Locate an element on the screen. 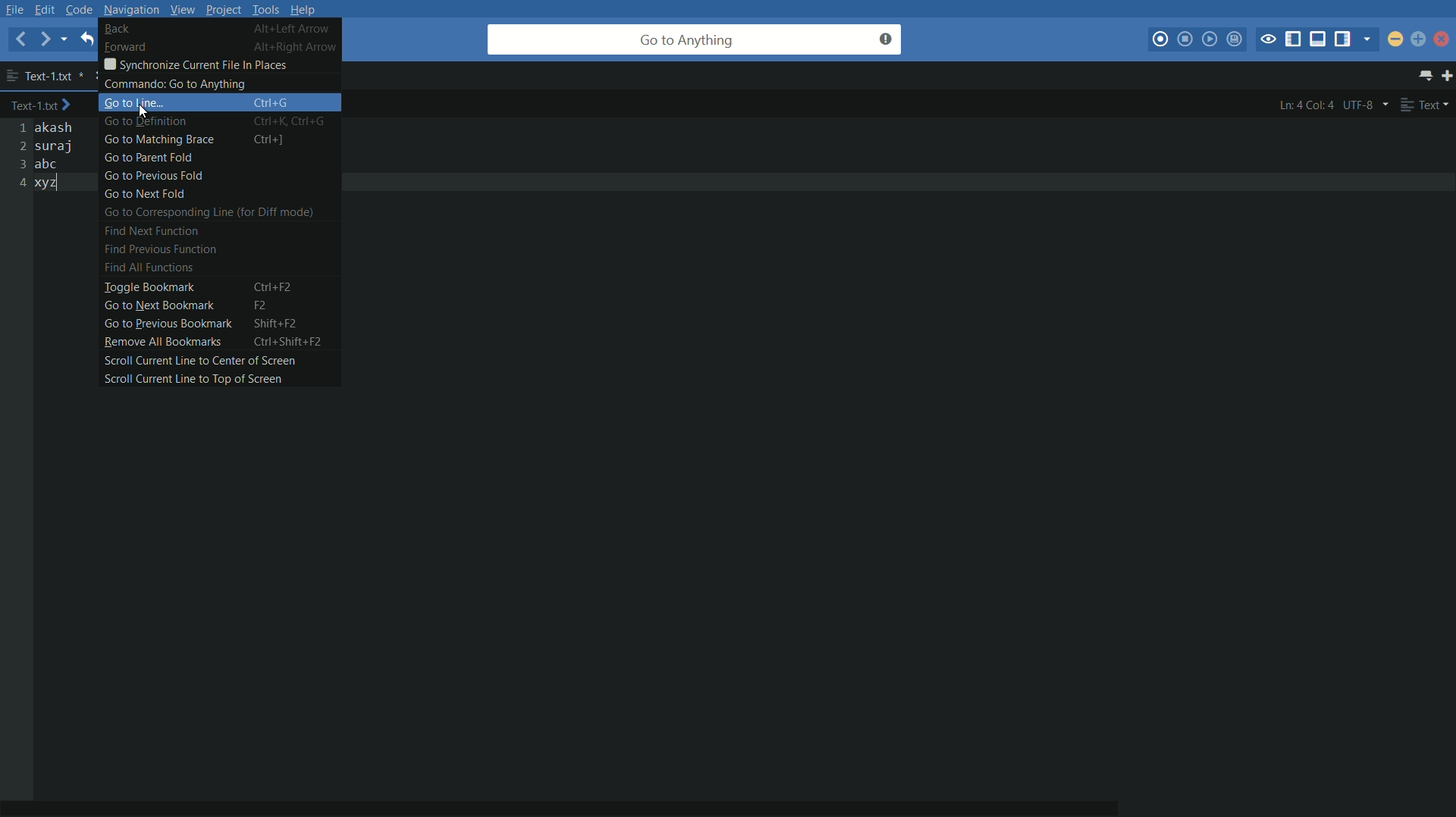  file name is located at coordinates (45, 75).